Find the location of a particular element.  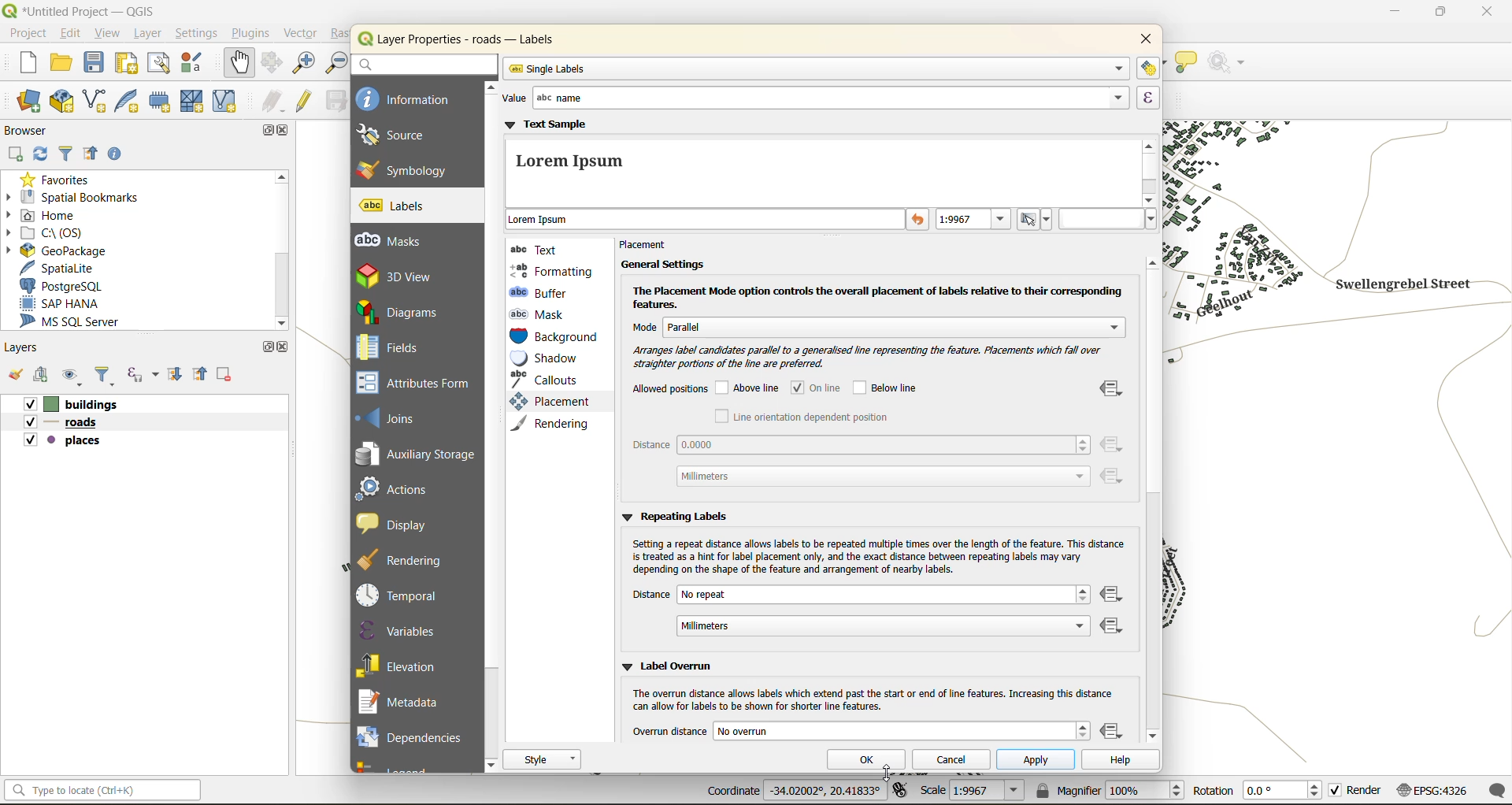

pan to selection is located at coordinates (272, 64).